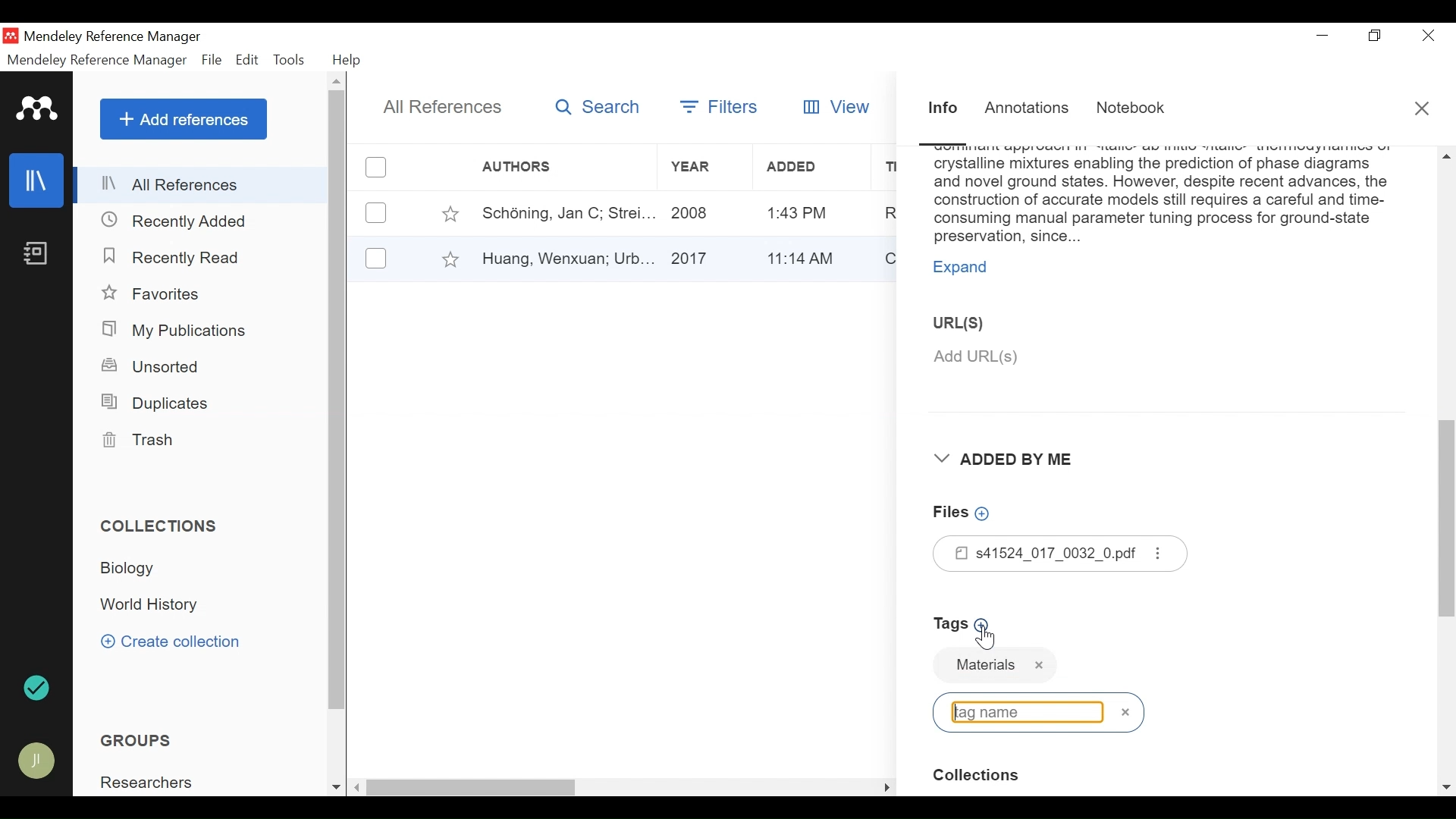 The width and height of the screenshot is (1456, 819). I want to click on Library, so click(37, 180).